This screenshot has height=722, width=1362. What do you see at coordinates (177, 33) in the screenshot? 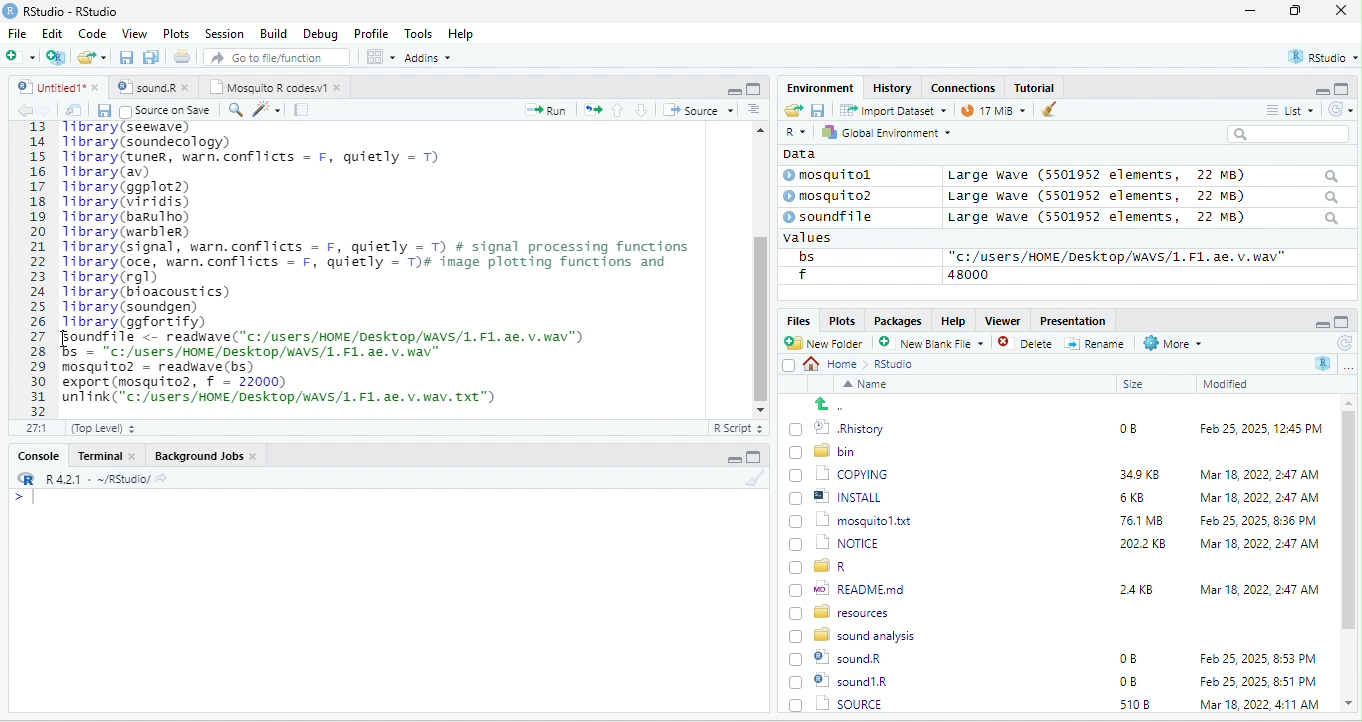
I see `Plots` at bounding box center [177, 33].